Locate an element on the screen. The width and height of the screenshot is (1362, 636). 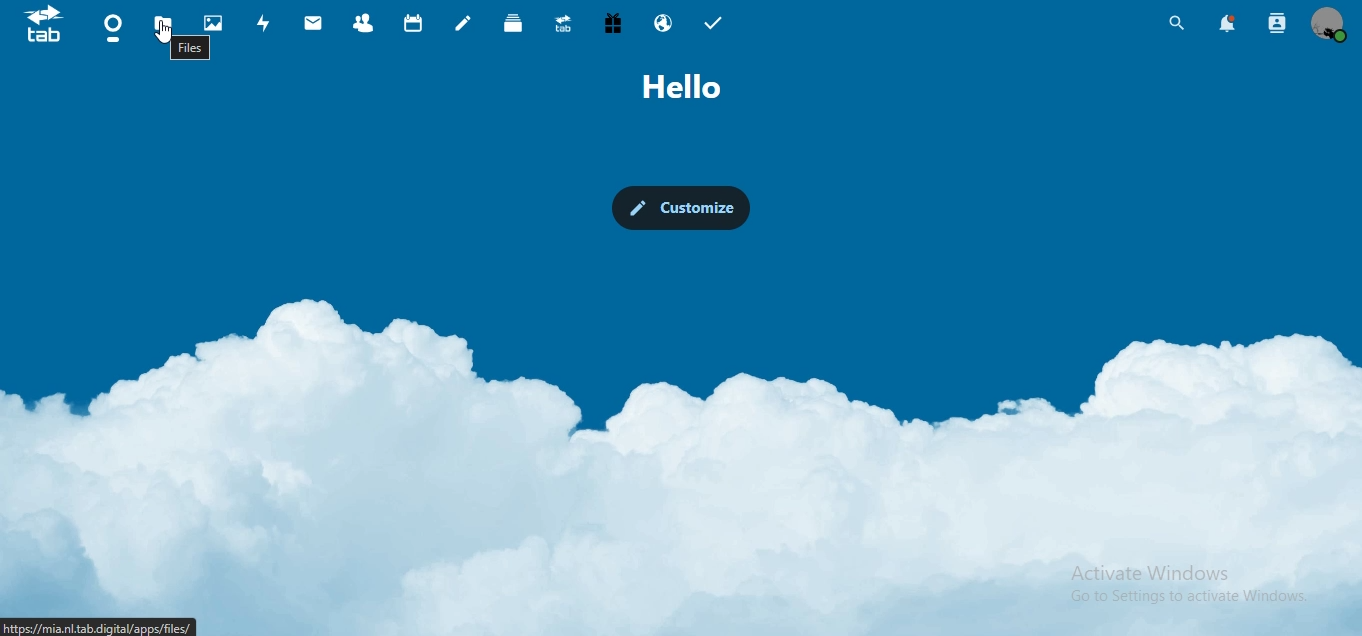
text is located at coordinates (689, 87).